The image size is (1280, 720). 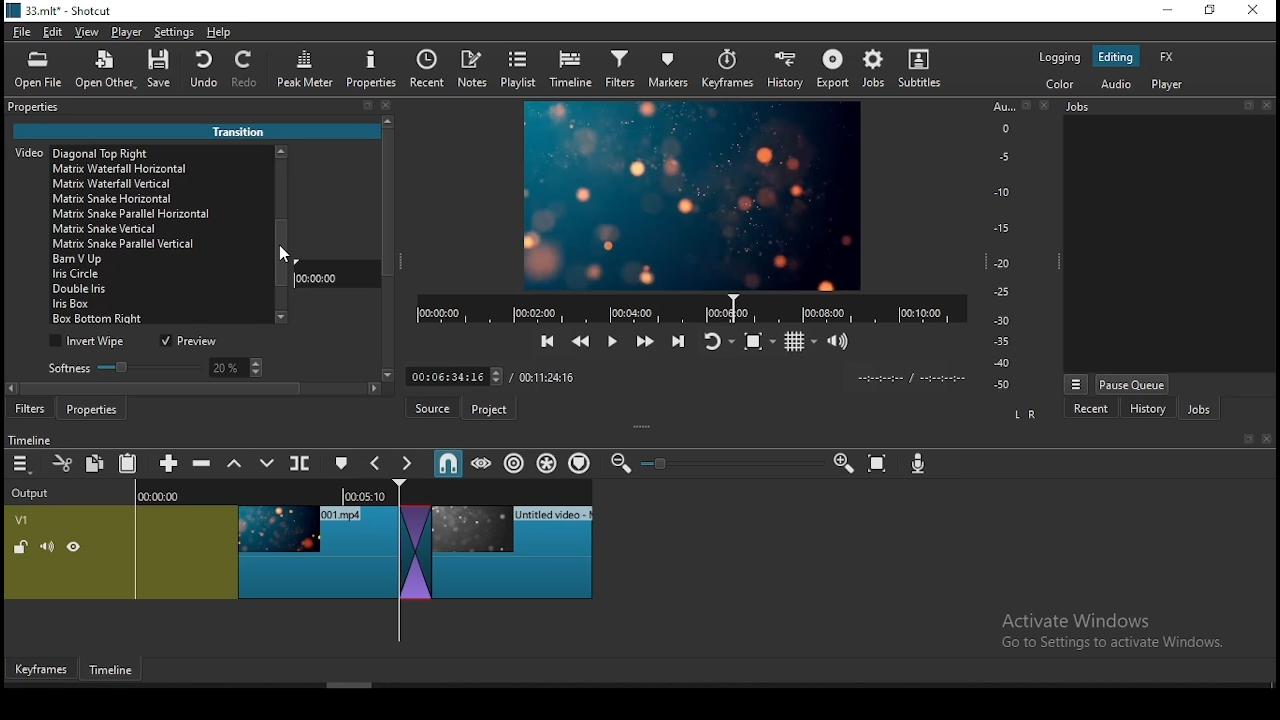 What do you see at coordinates (433, 71) in the screenshot?
I see `split at playhead` at bounding box center [433, 71].